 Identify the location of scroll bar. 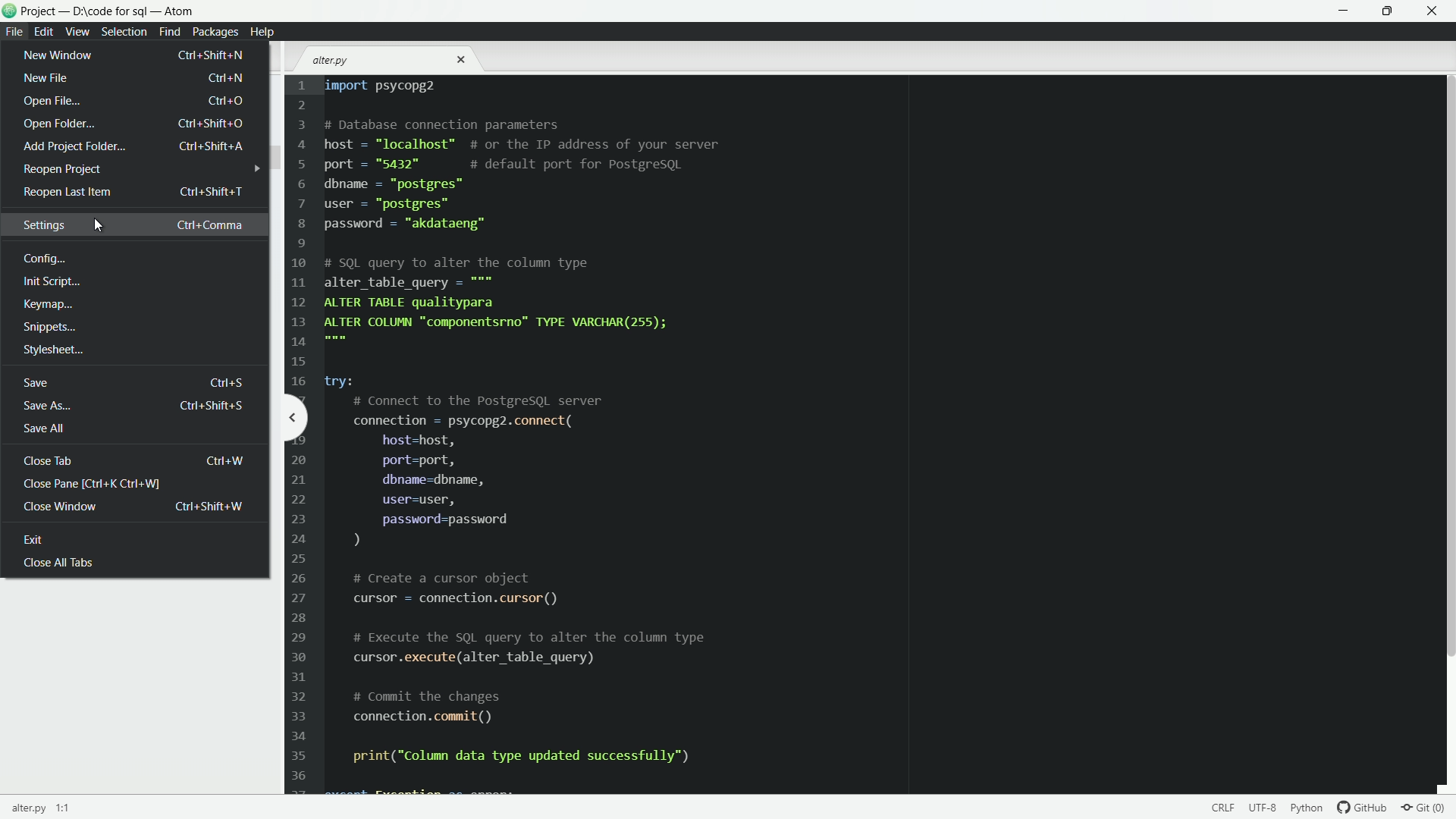
(1447, 368).